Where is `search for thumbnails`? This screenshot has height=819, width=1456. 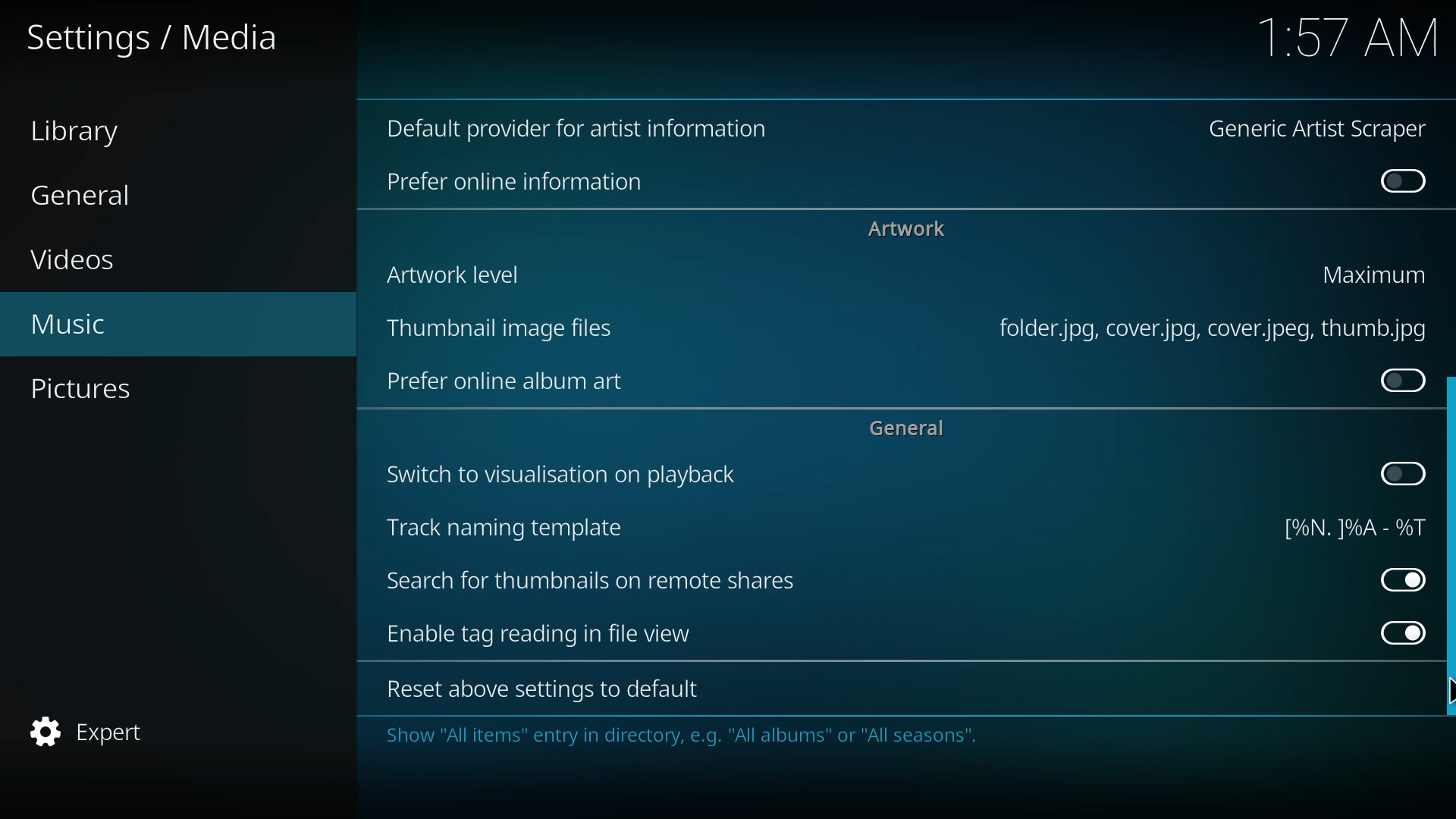
search for thumbnails is located at coordinates (589, 582).